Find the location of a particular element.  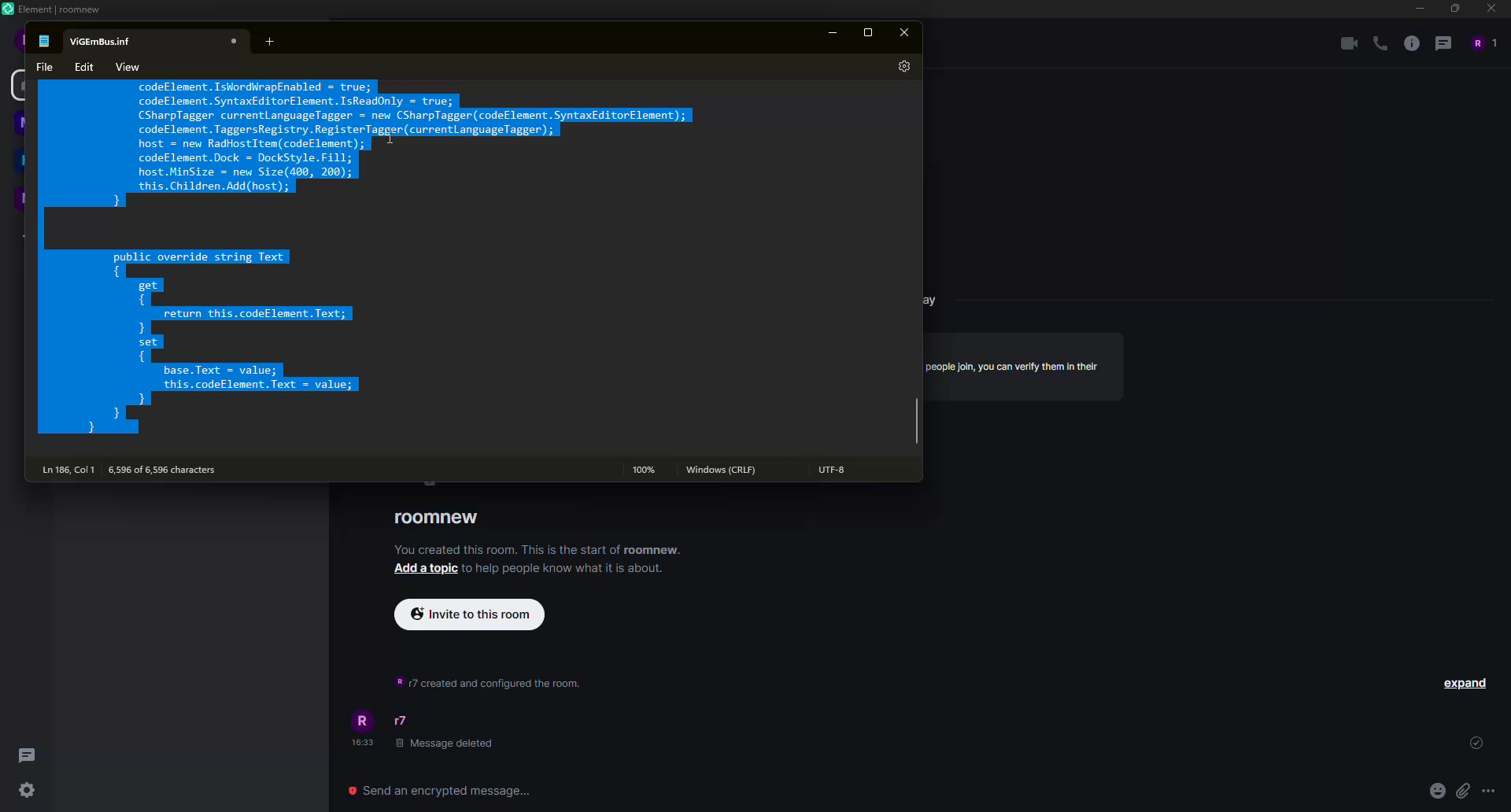

maximize is located at coordinates (1453, 9).